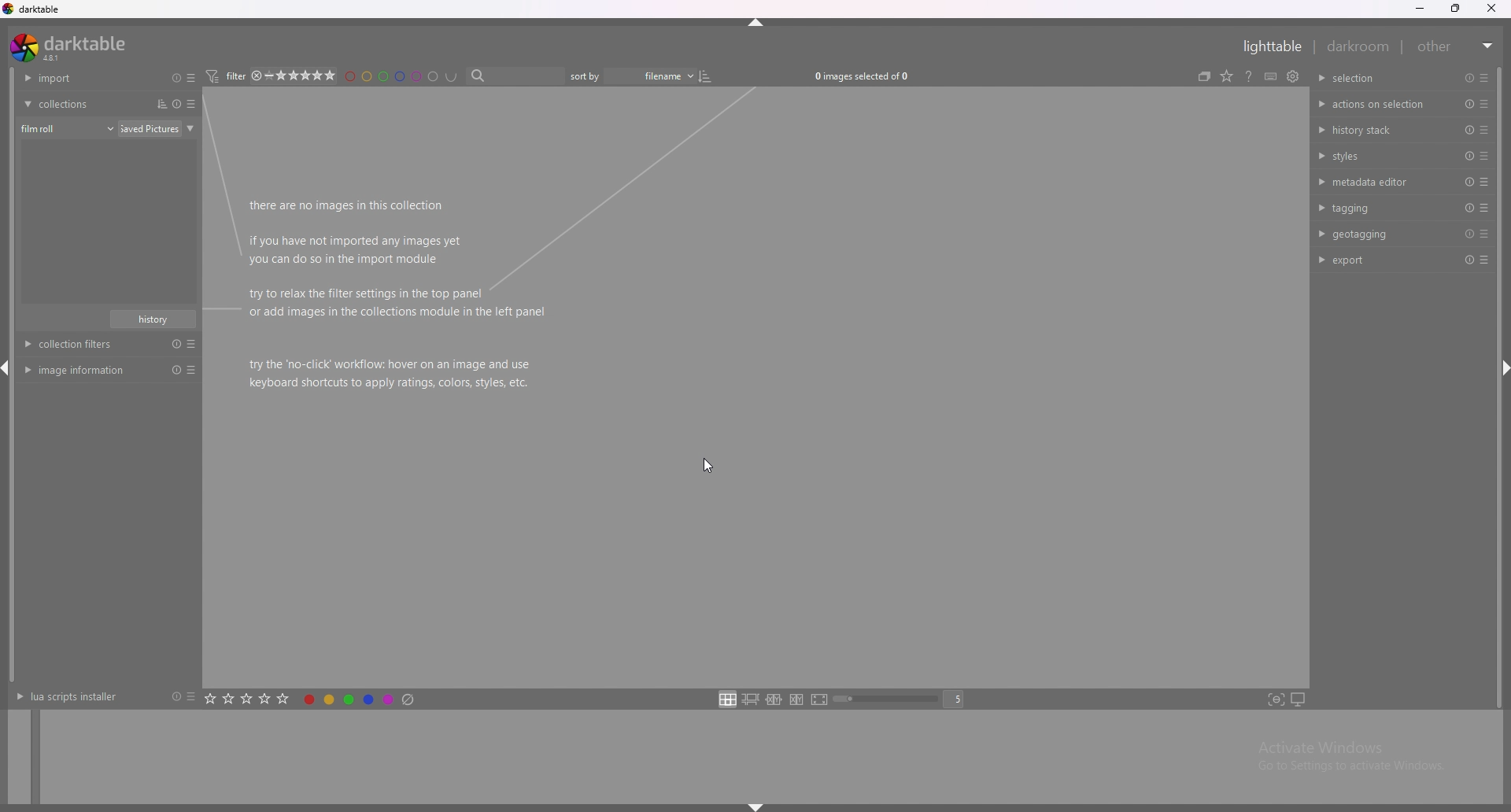  Describe the element at coordinates (1380, 155) in the screenshot. I see `styles` at that location.